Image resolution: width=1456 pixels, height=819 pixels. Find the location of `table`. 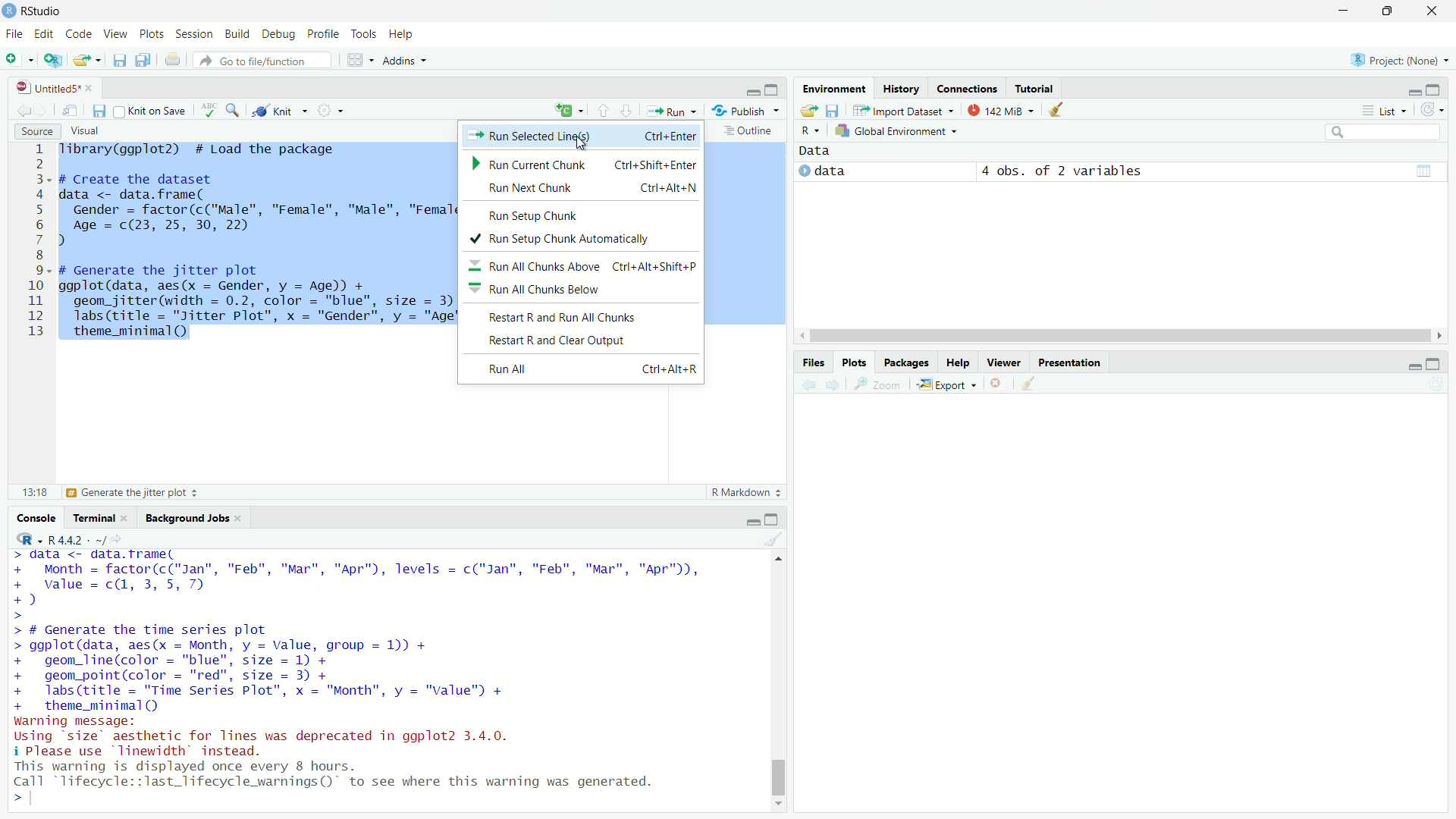

table is located at coordinates (1426, 170).